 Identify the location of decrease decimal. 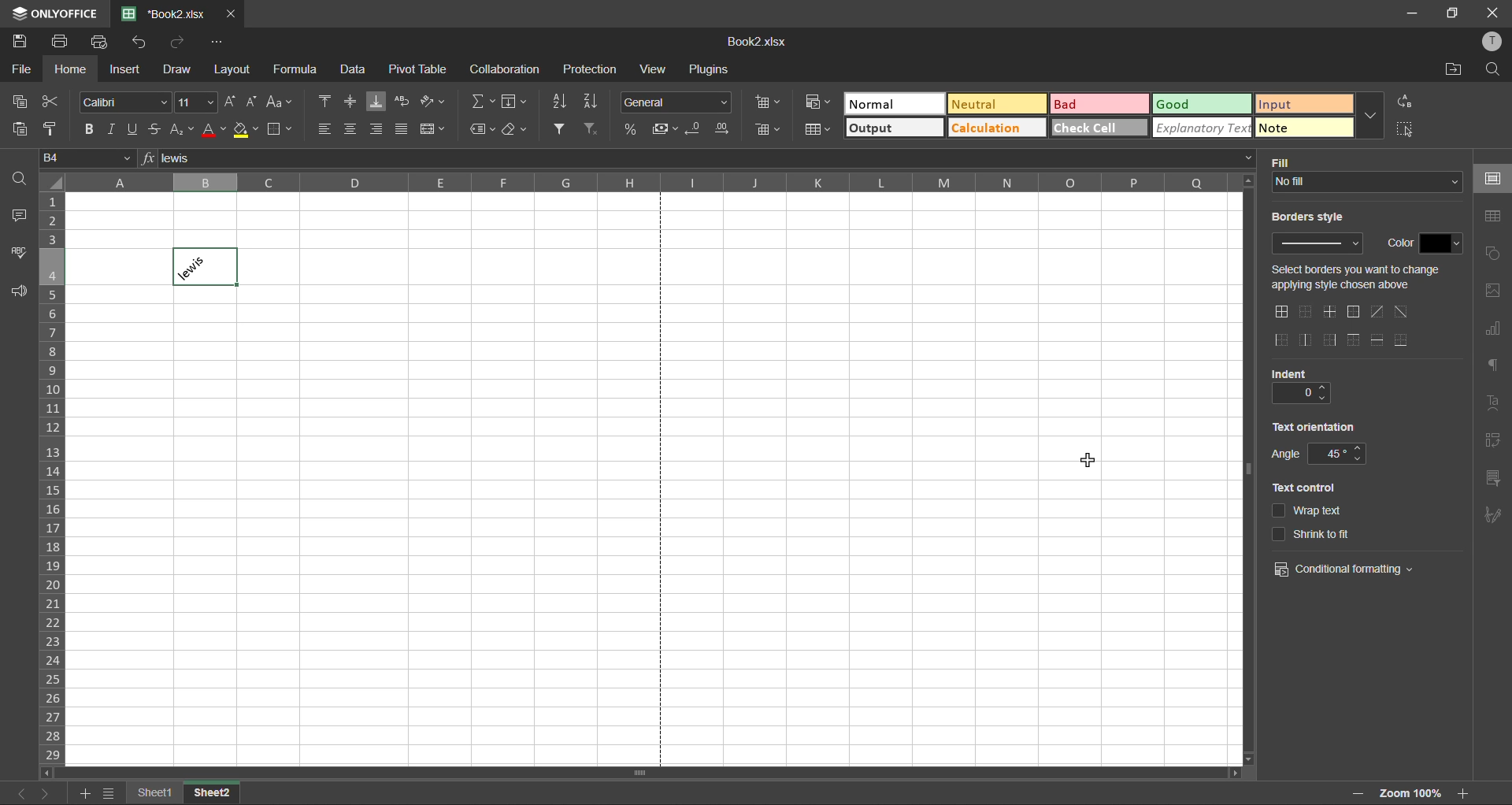
(695, 129).